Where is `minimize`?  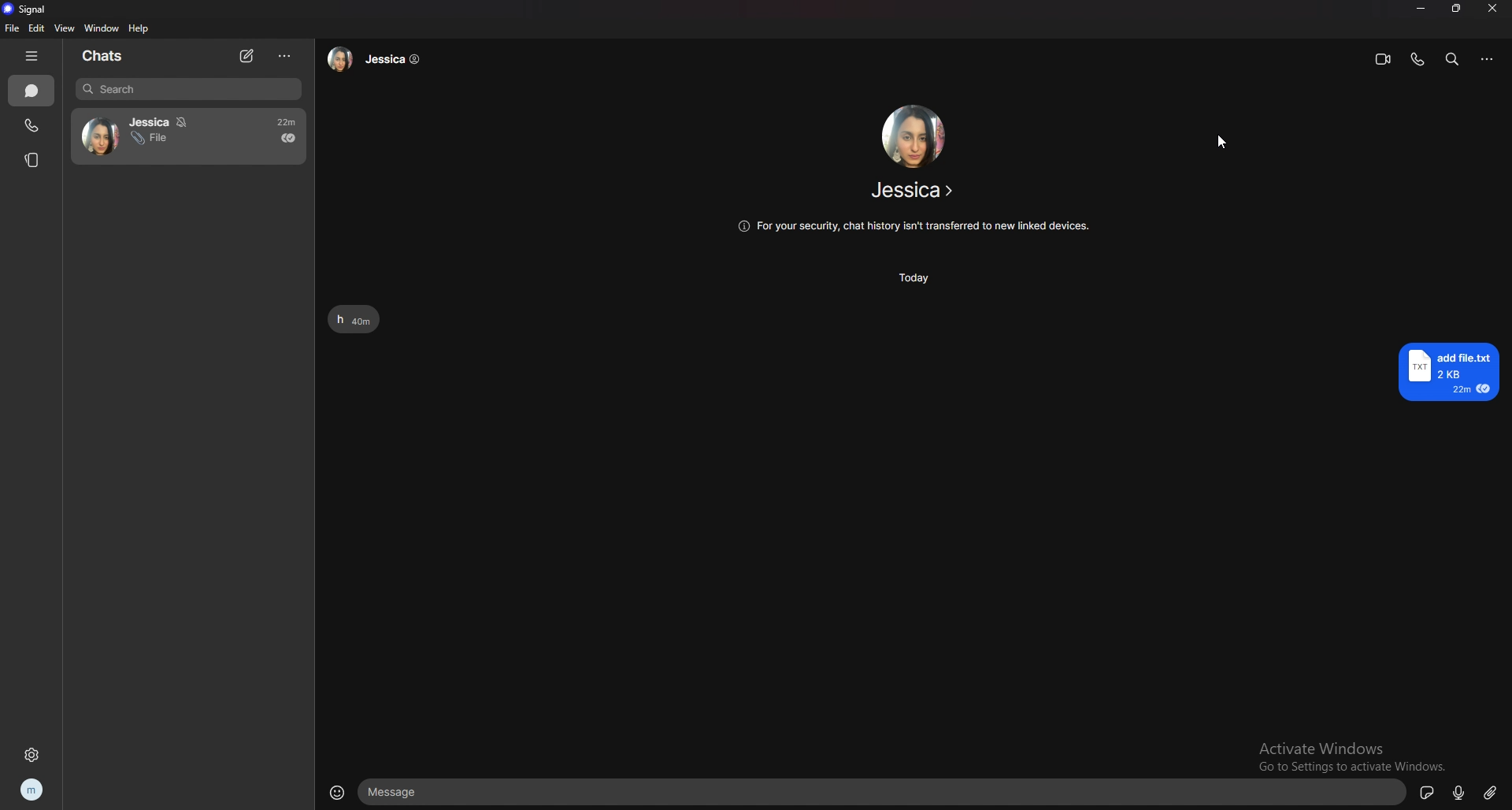
minimize is located at coordinates (1421, 9).